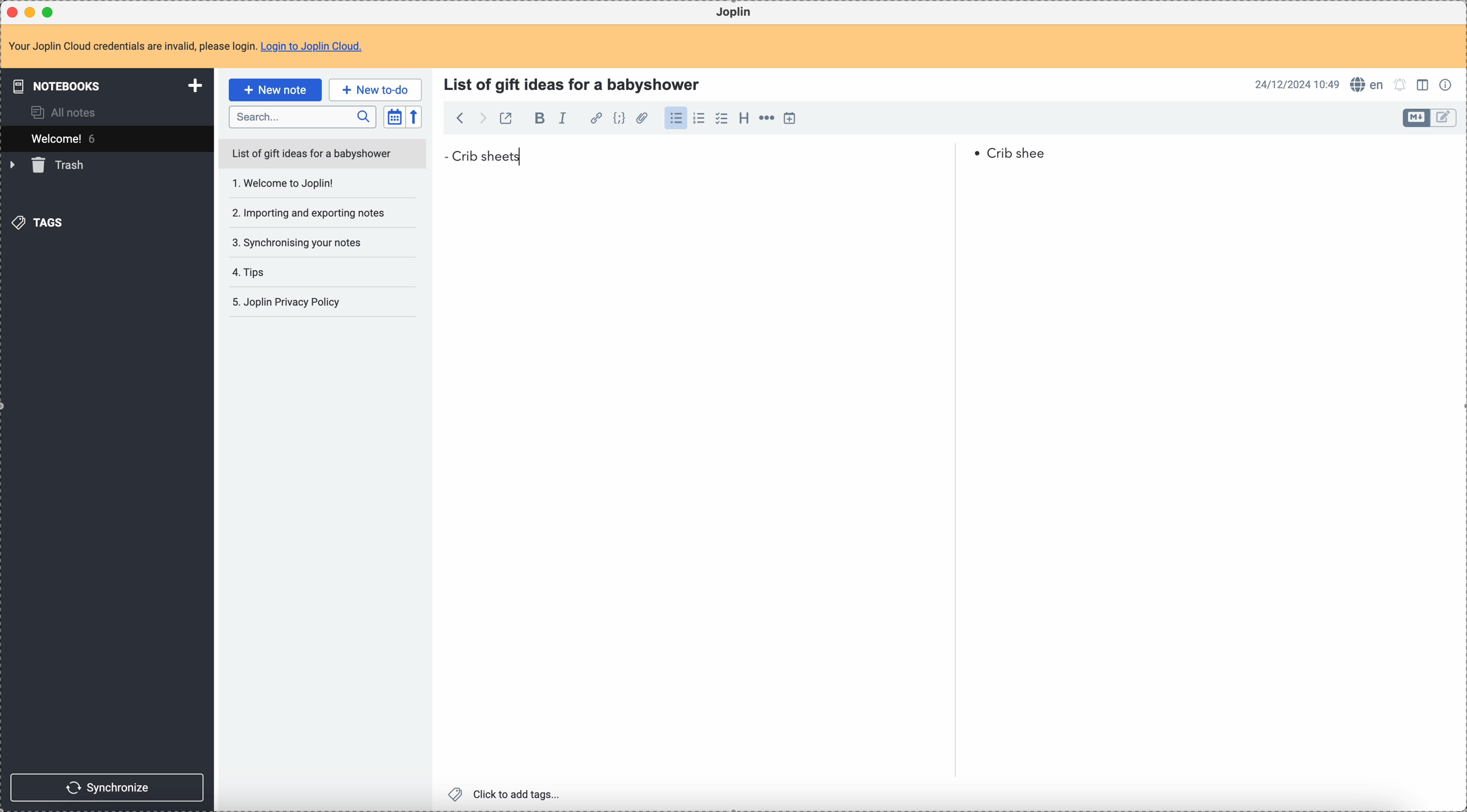 Image resolution: width=1467 pixels, height=812 pixels. I want to click on search bar, so click(302, 117).